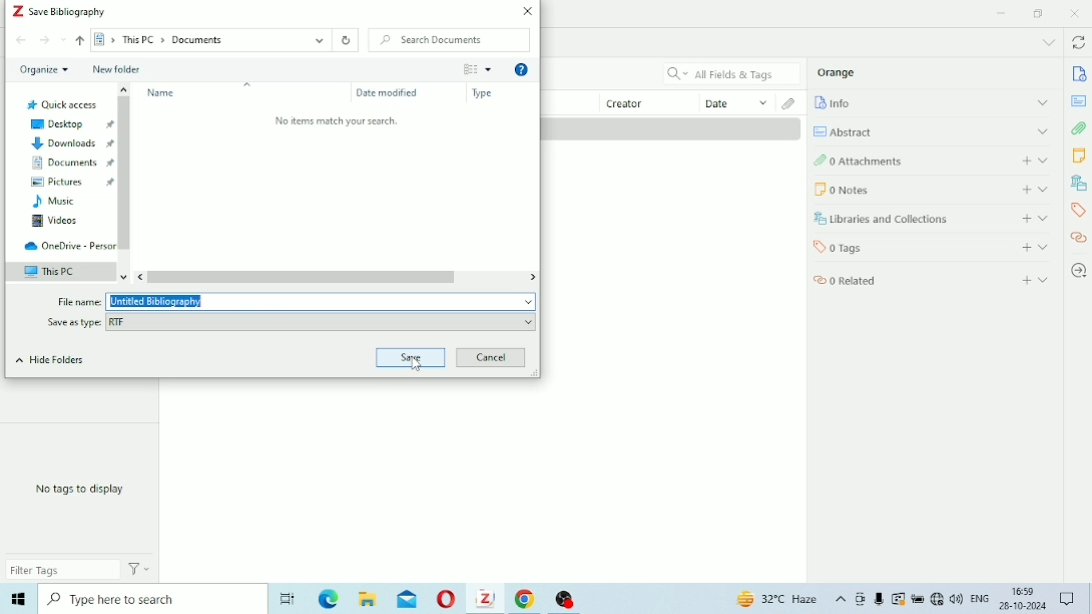 The height and width of the screenshot is (614, 1092). What do you see at coordinates (932, 219) in the screenshot?
I see `Libraries and Collections` at bounding box center [932, 219].